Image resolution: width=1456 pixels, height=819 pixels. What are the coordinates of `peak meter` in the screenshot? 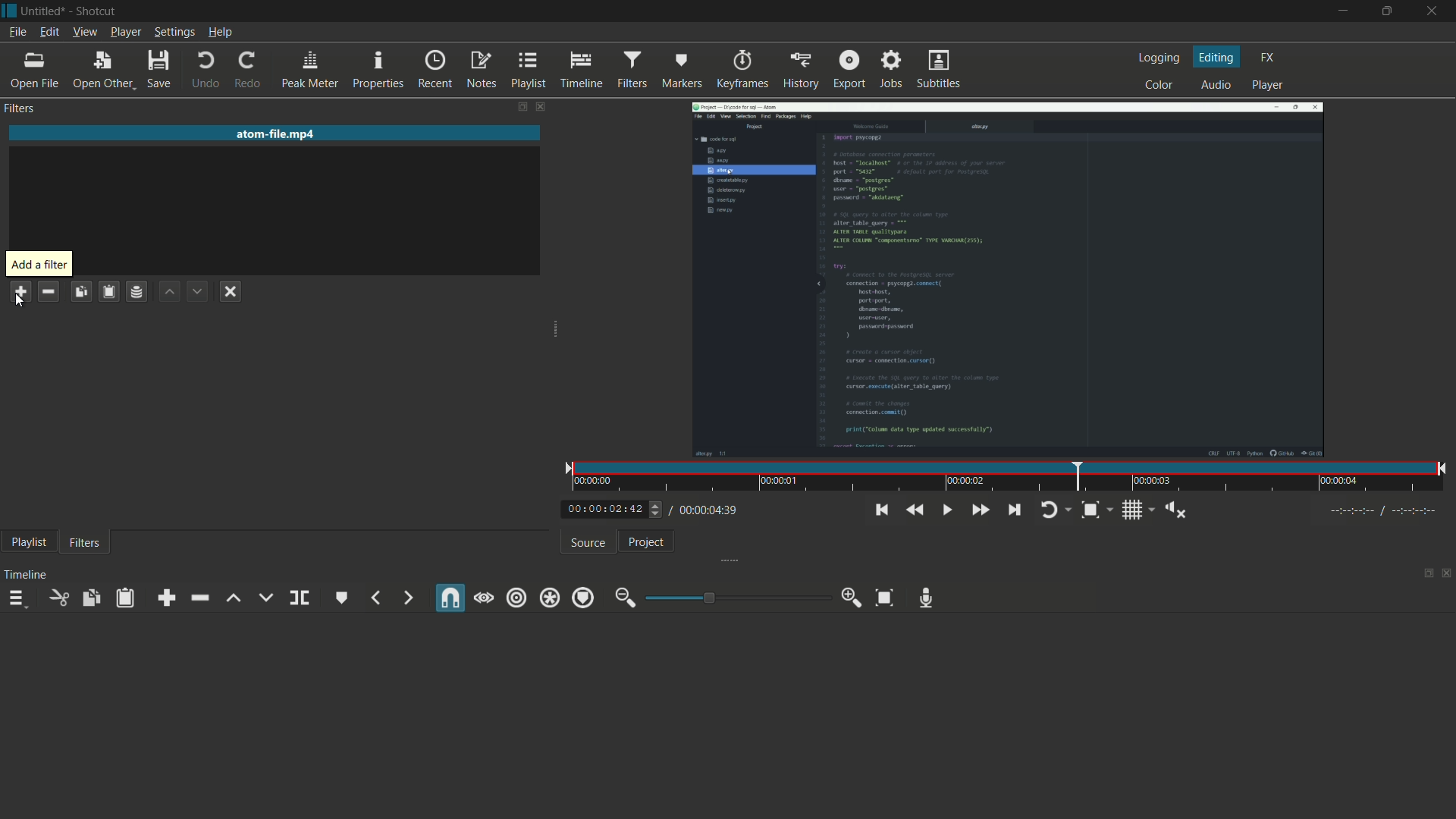 It's located at (310, 71).